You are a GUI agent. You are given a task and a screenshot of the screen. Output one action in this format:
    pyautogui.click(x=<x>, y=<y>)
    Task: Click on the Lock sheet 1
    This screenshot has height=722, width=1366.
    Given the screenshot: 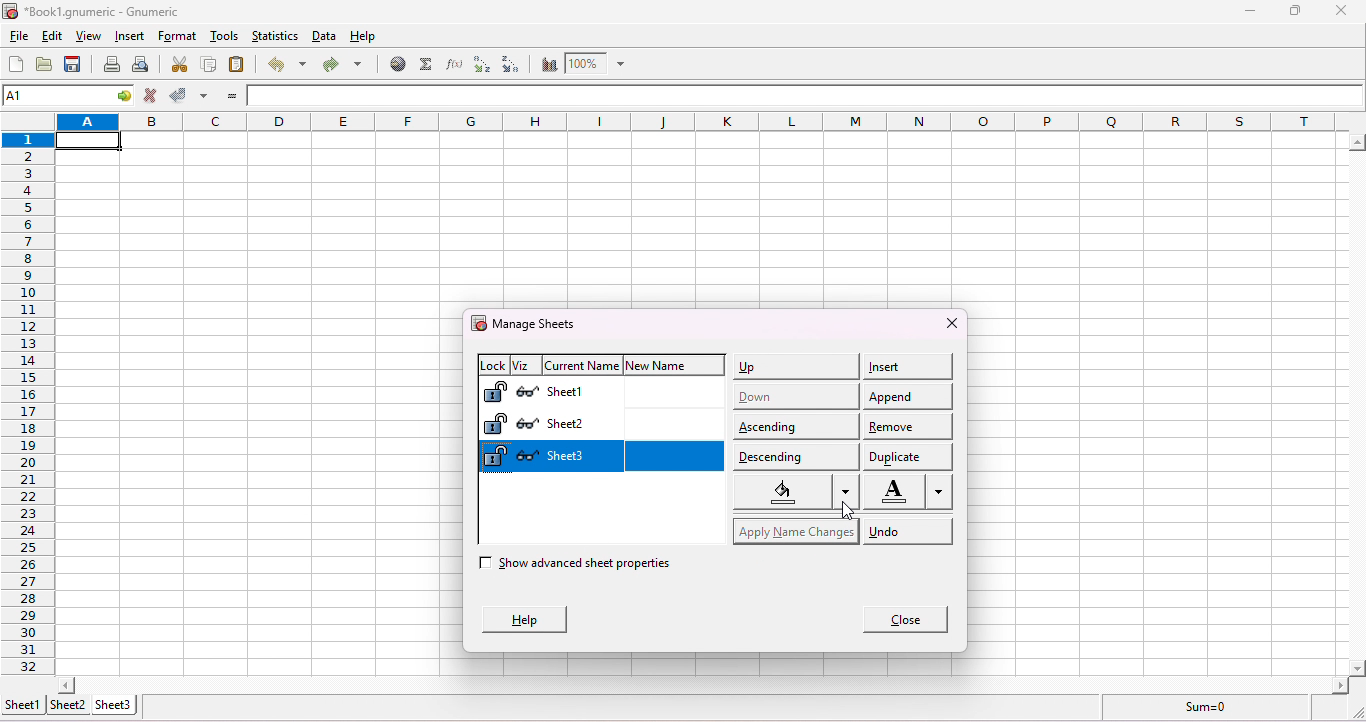 What is the action you would take?
    pyautogui.click(x=495, y=393)
    